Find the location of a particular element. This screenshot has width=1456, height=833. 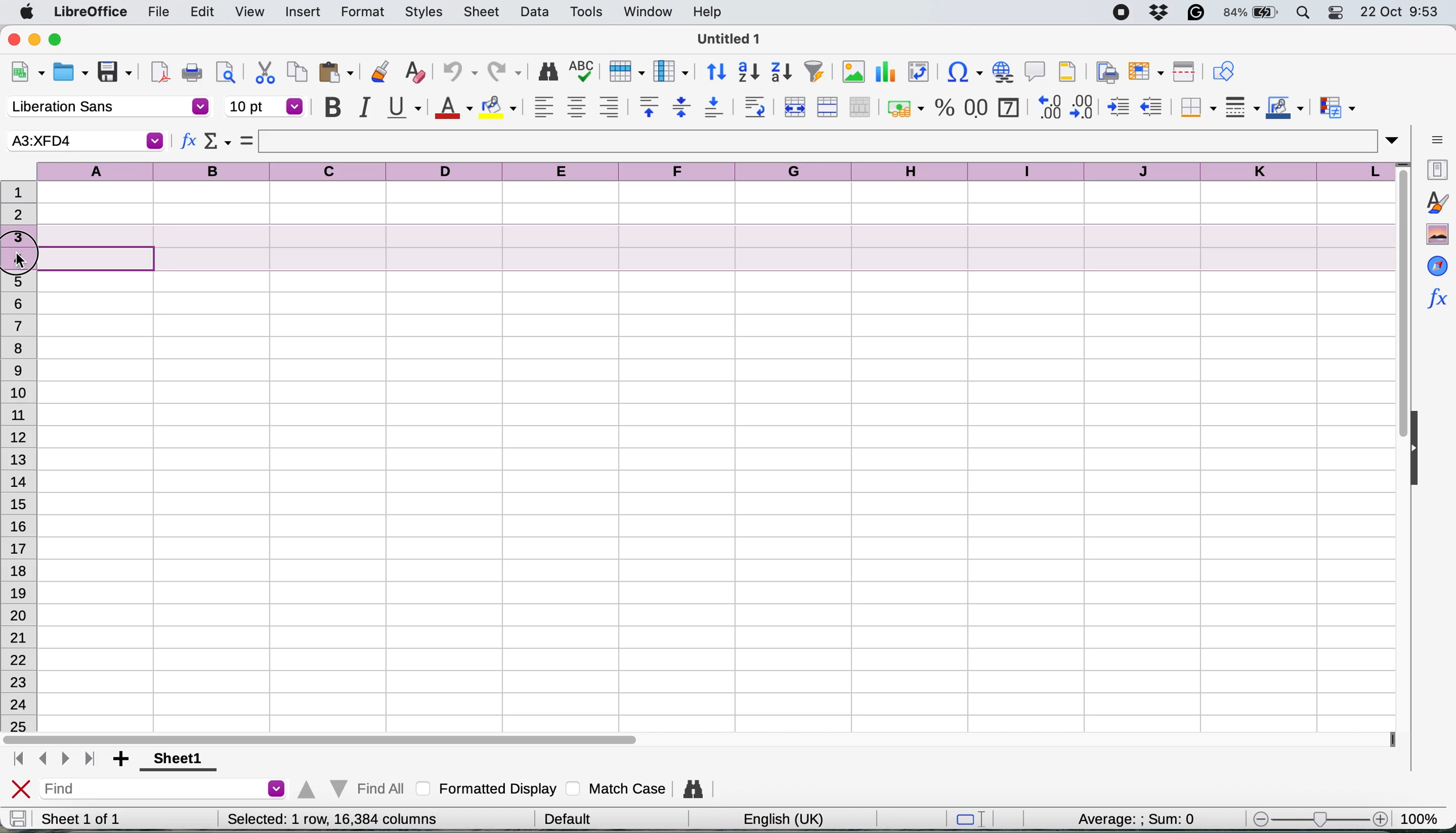

column is located at coordinates (671, 70).